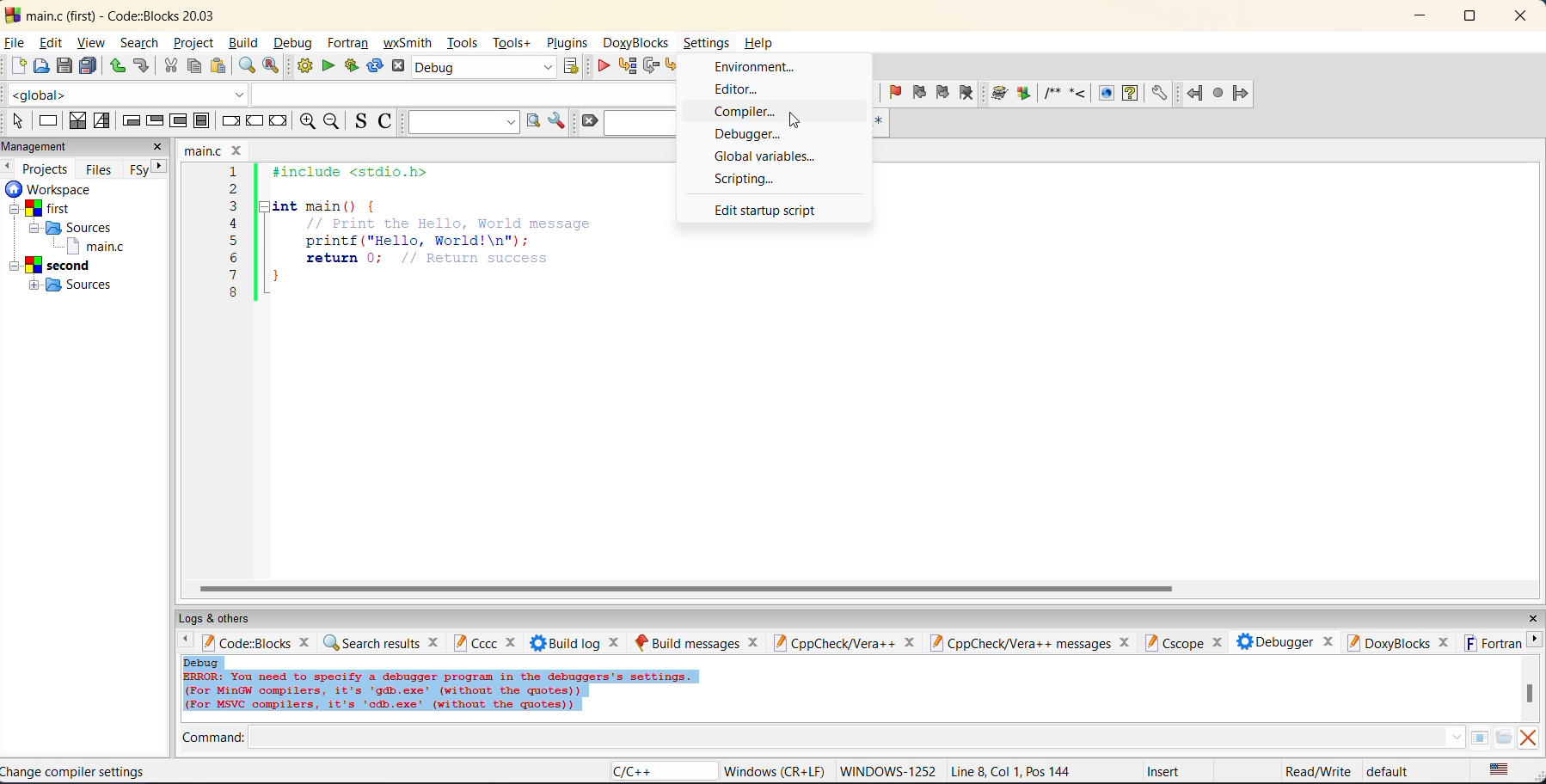 Image resolution: width=1546 pixels, height=784 pixels. I want to click on build, so click(246, 45).